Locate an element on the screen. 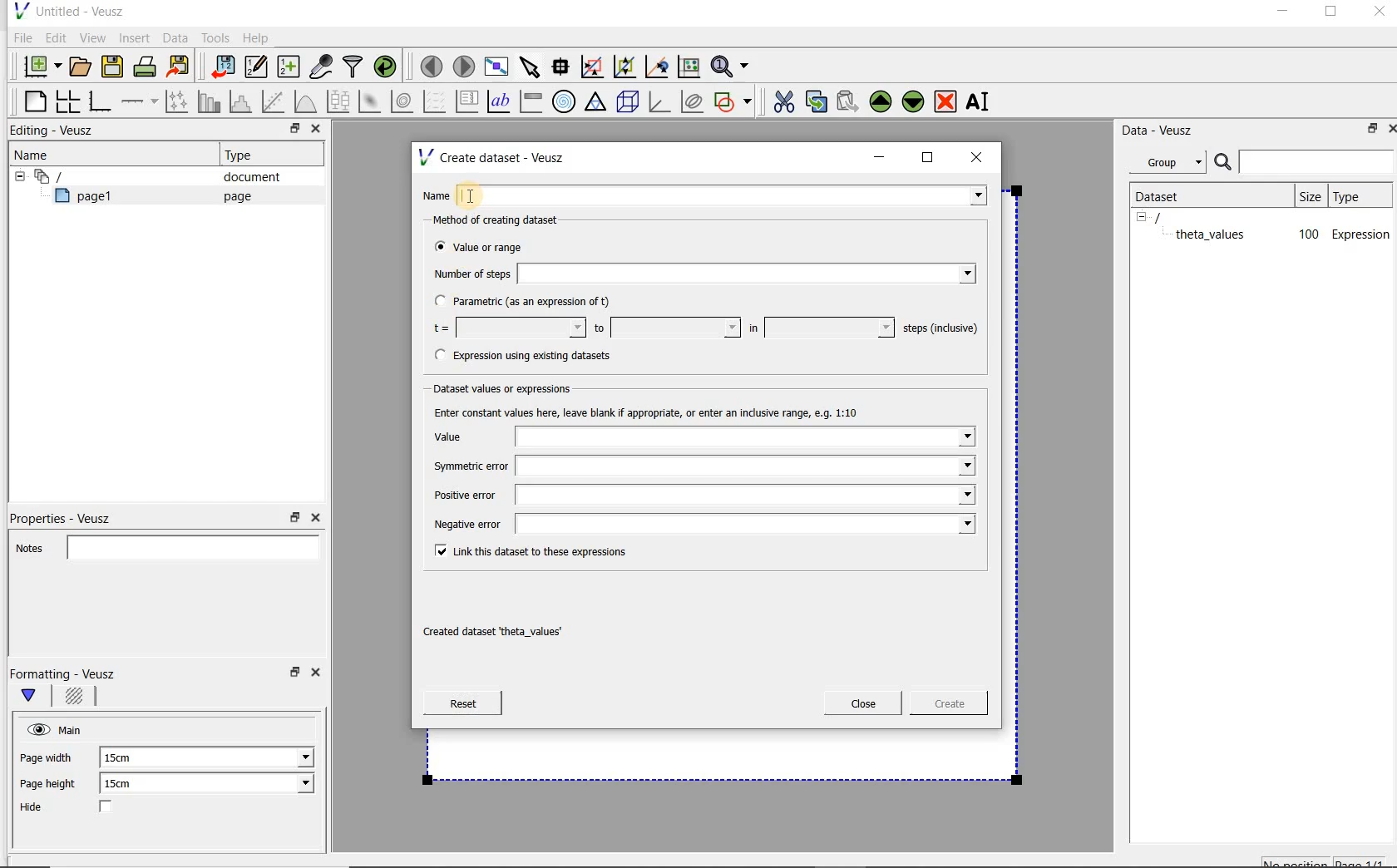 The height and width of the screenshot is (868, 1397). Insert is located at coordinates (136, 37).